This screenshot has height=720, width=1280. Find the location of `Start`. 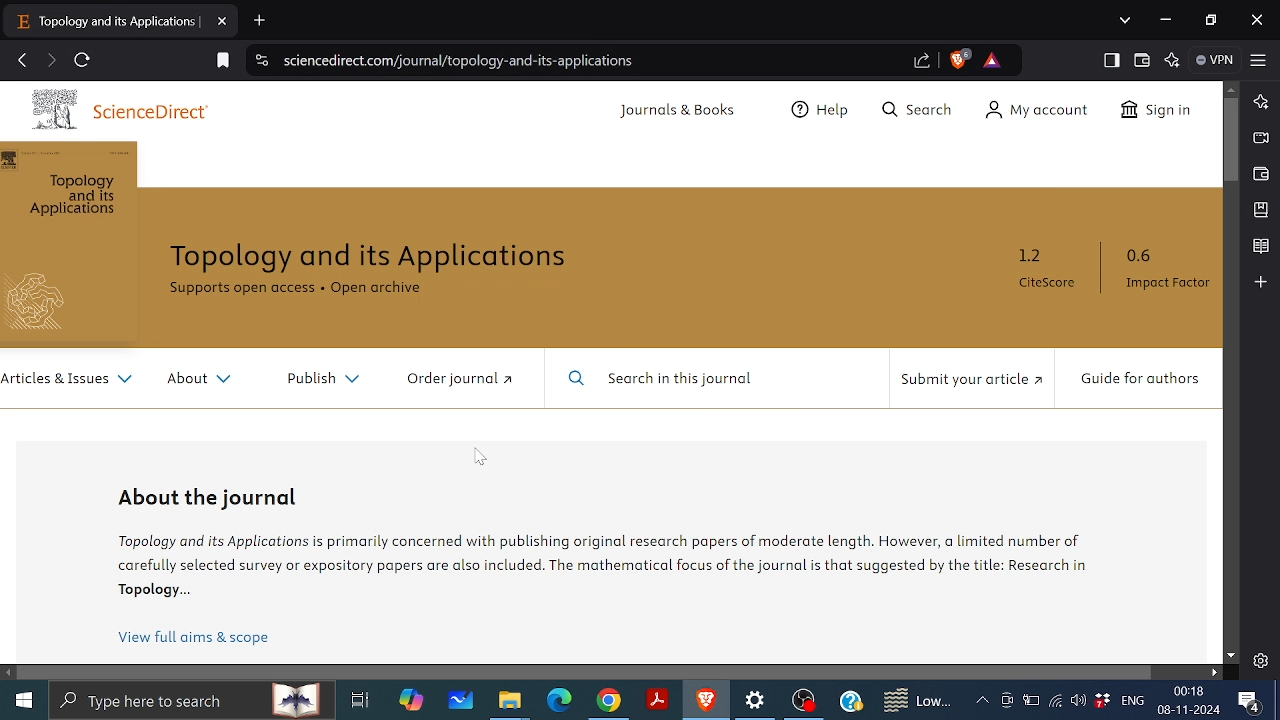

Start is located at coordinates (24, 701).